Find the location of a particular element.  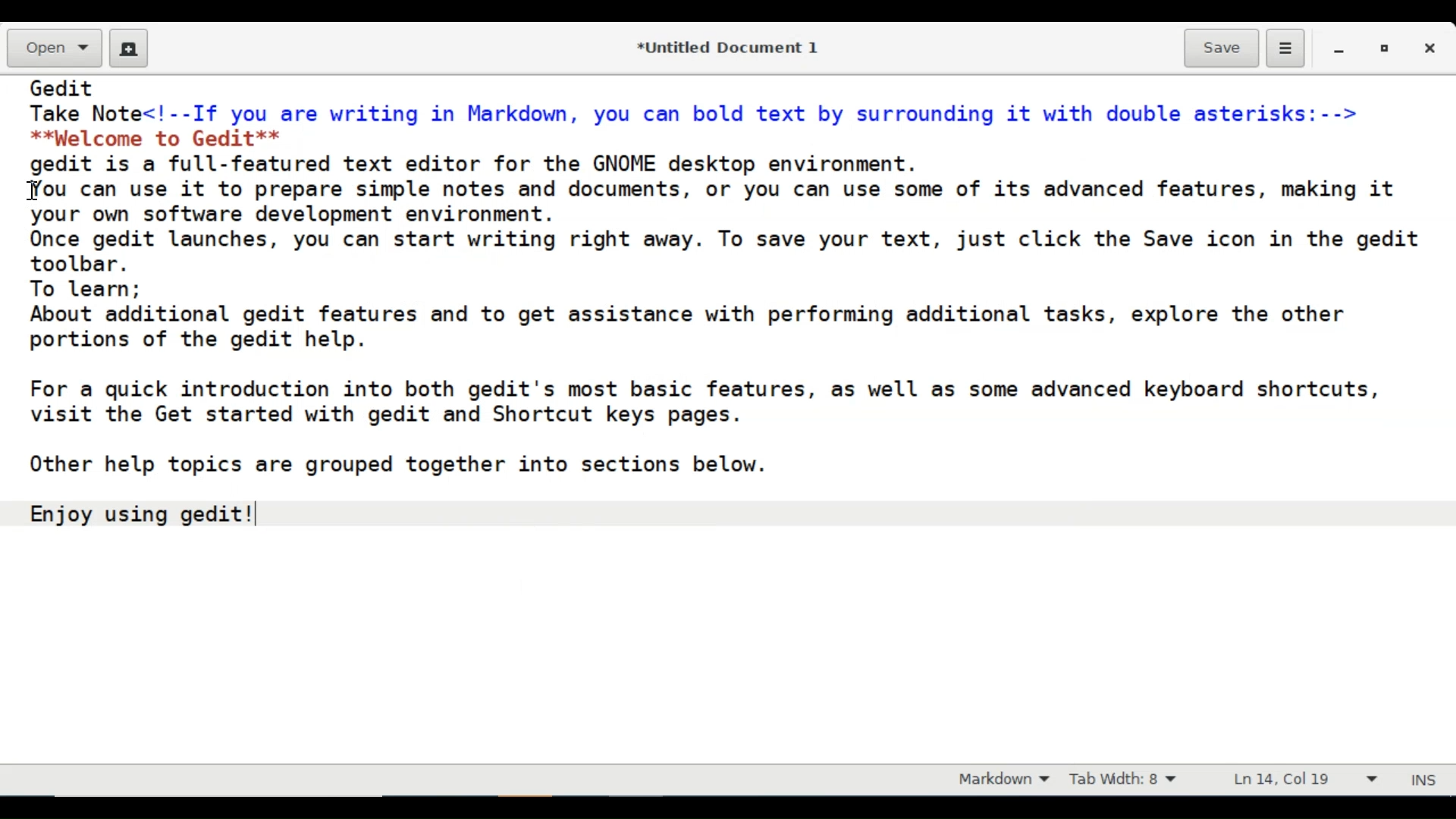

Gedit Take Note<!--If you are writing in Markdown, you can bold text by surrounding it with double asterisks:--> **Welcome to Gedit** gedit is a full-featured text editor for the GNOME desktop environment. You can use it to prepare simple notes and documents, or you can use some of its advanced features, making it your own software development environment is located at coordinates (730, 416).